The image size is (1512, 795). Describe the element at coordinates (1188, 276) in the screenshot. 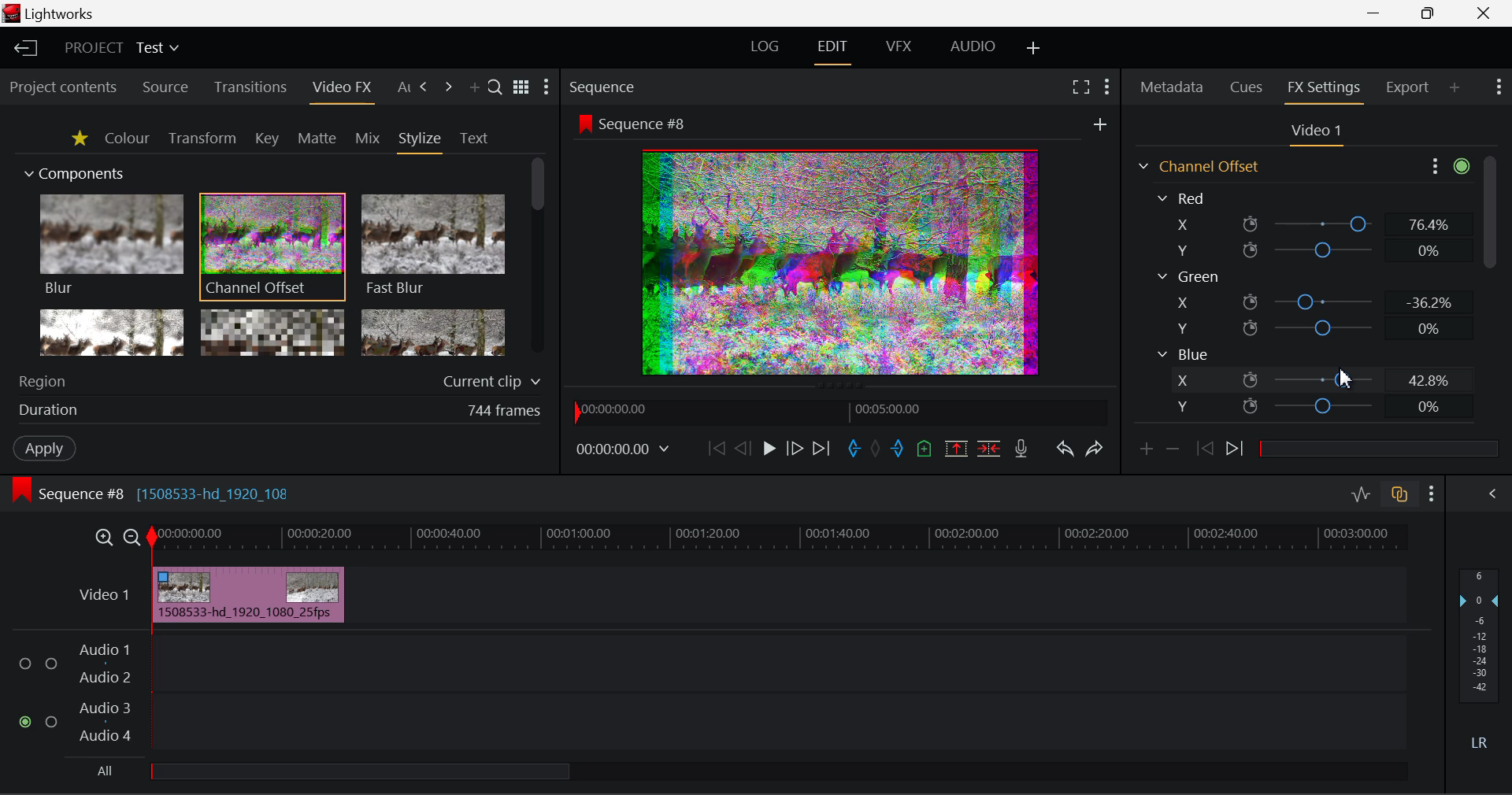

I see `Green` at that location.